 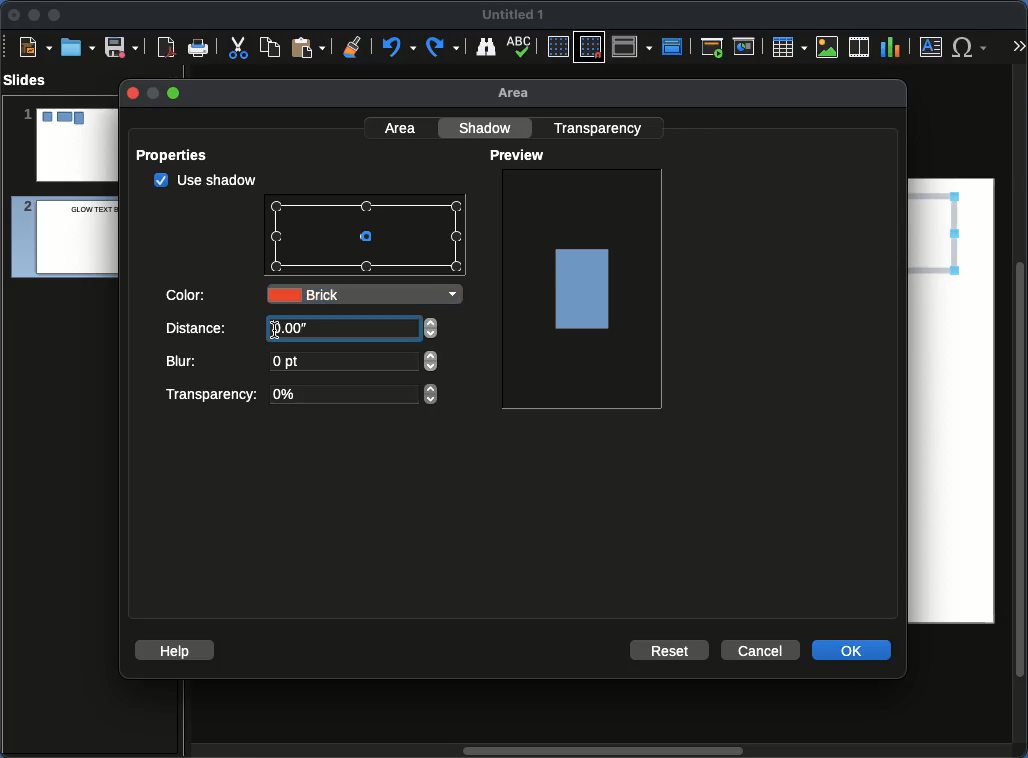 I want to click on Area, so click(x=402, y=127).